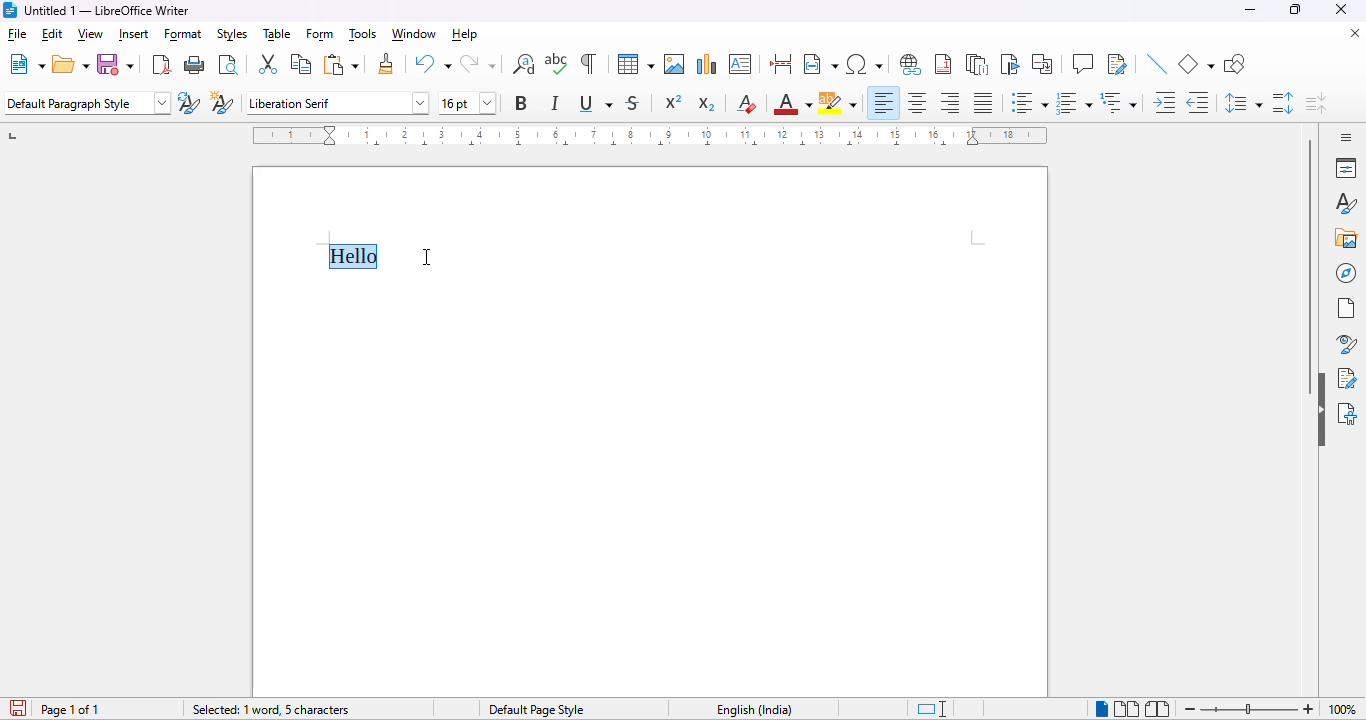 Image resolution: width=1366 pixels, height=720 pixels. I want to click on subscript, so click(707, 103).